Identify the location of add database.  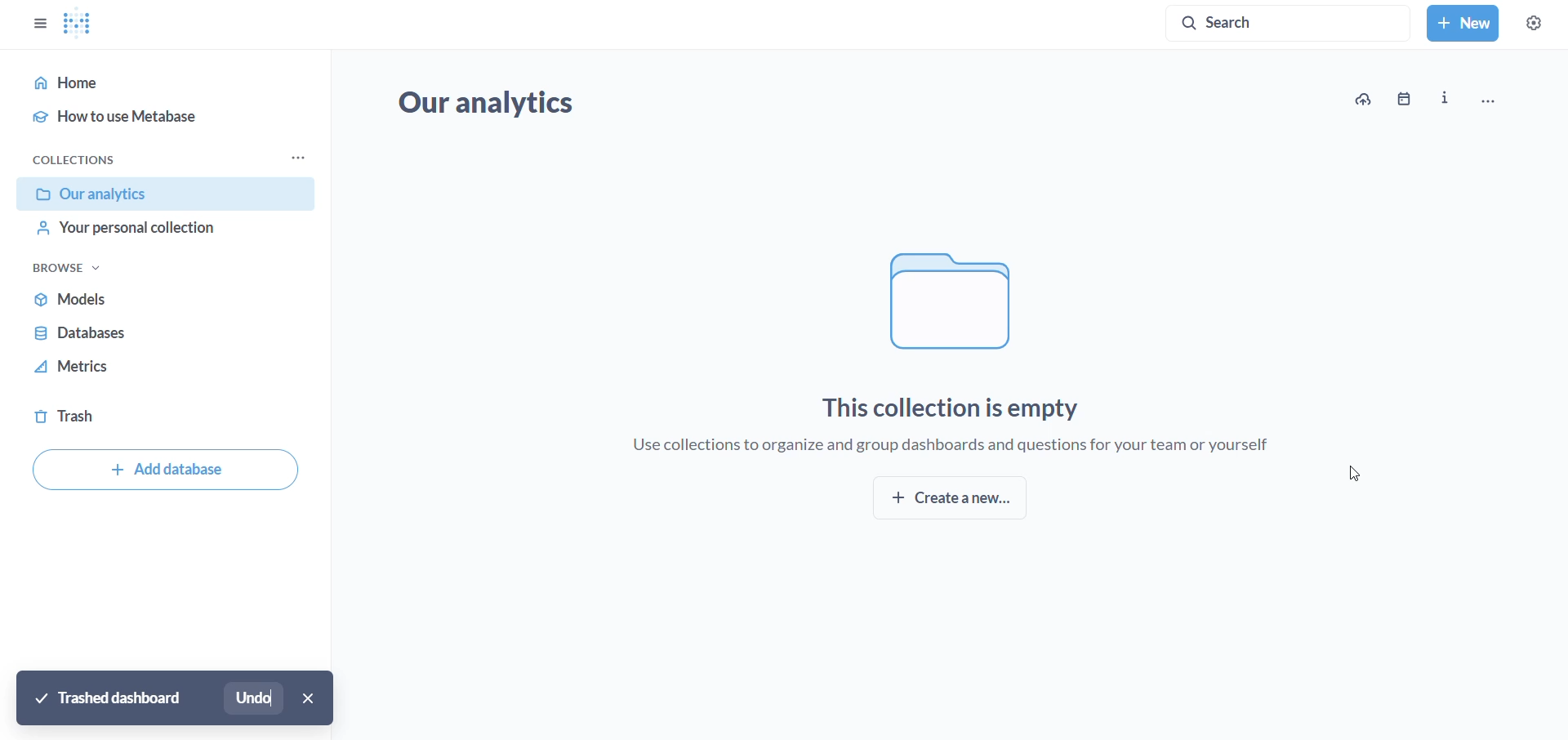
(164, 470).